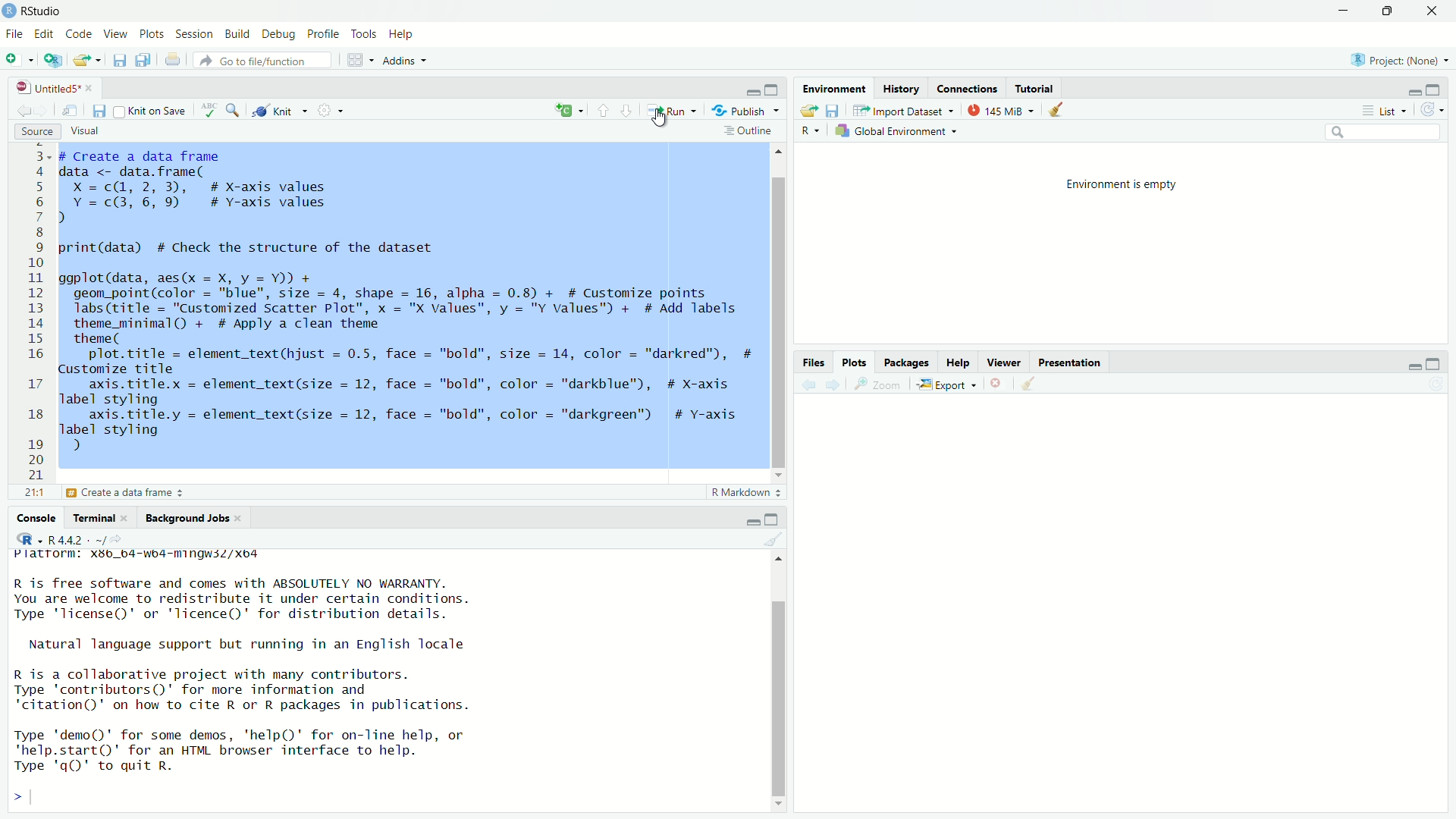 The height and width of the screenshot is (819, 1456). Describe the element at coordinates (626, 110) in the screenshot. I see `Go to the next section/chunk` at that location.